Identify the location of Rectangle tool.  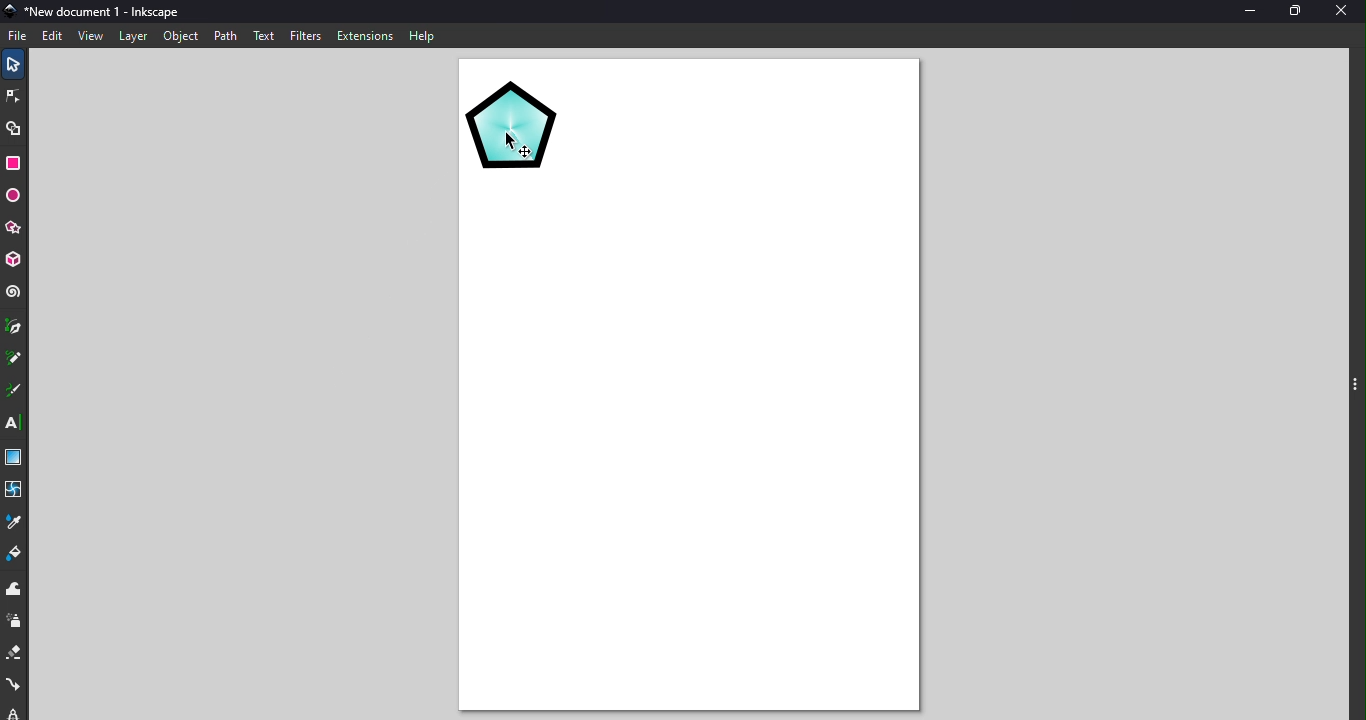
(15, 165).